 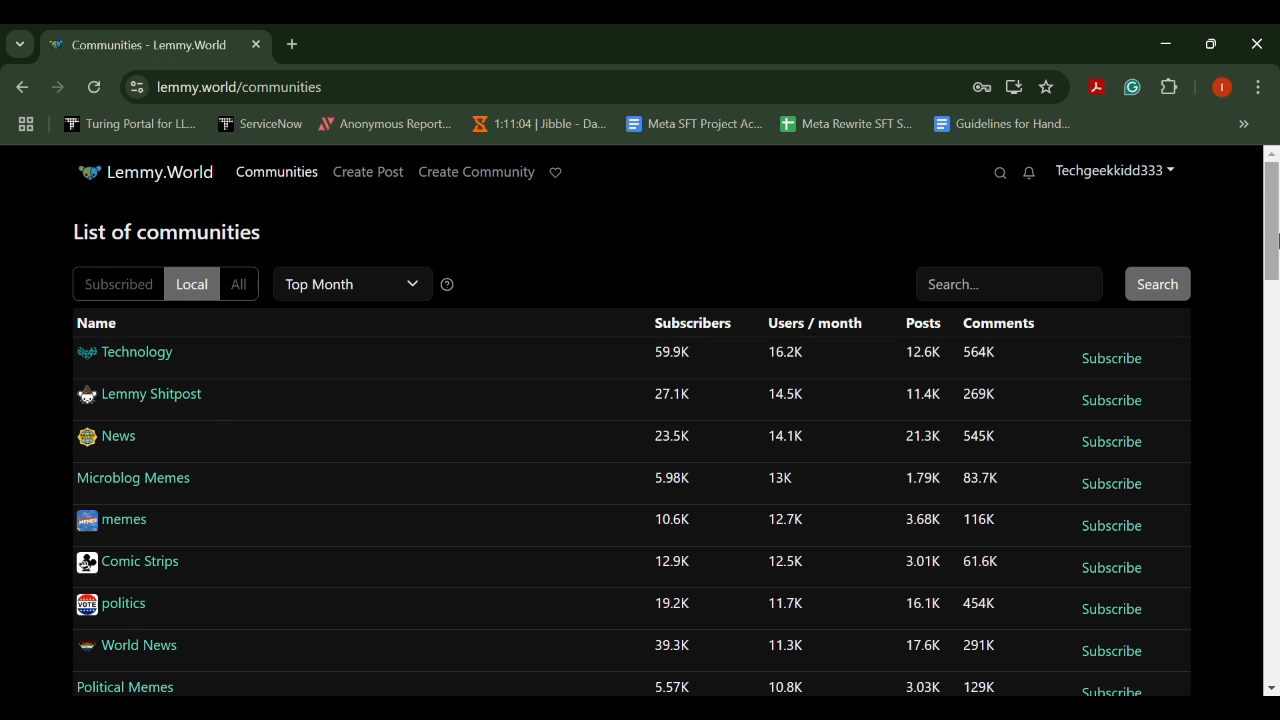 I want to click on 83.7K, so click(x=980, y=478).